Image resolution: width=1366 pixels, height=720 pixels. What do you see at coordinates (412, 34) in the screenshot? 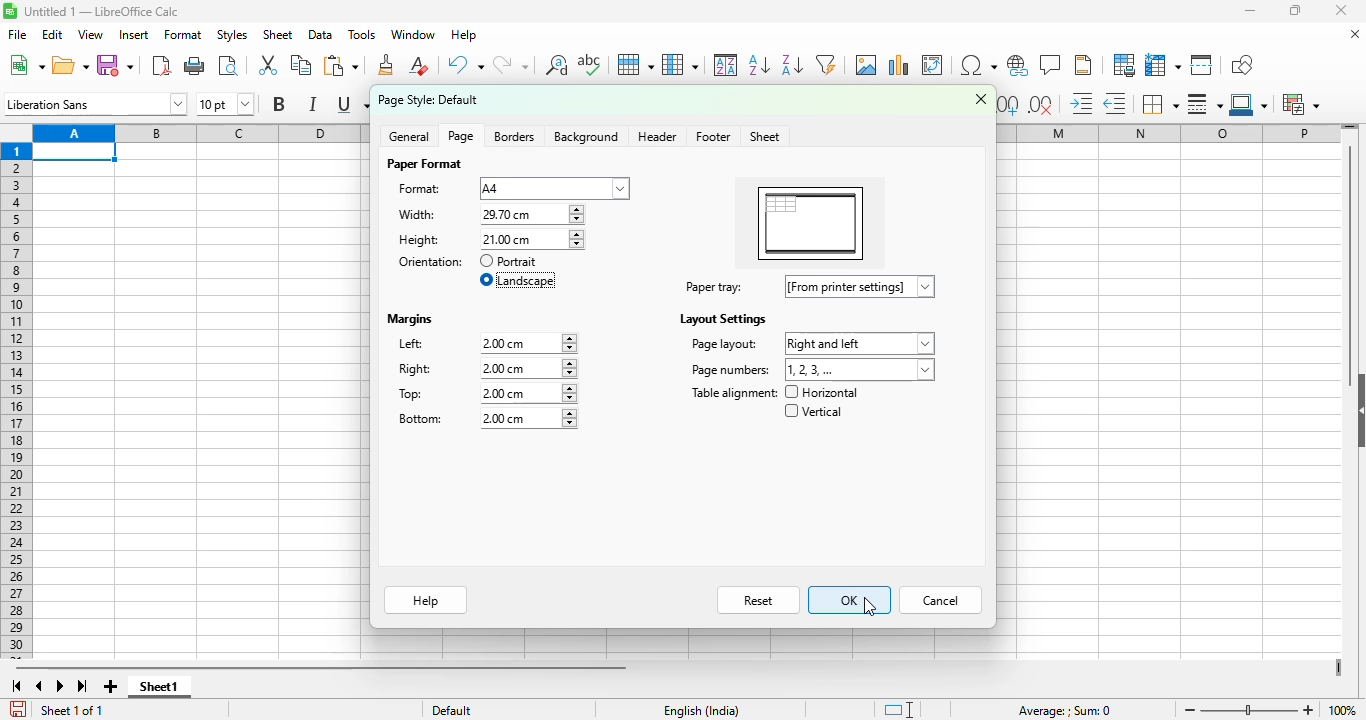
I see `window` at bounding box center [412, 34].